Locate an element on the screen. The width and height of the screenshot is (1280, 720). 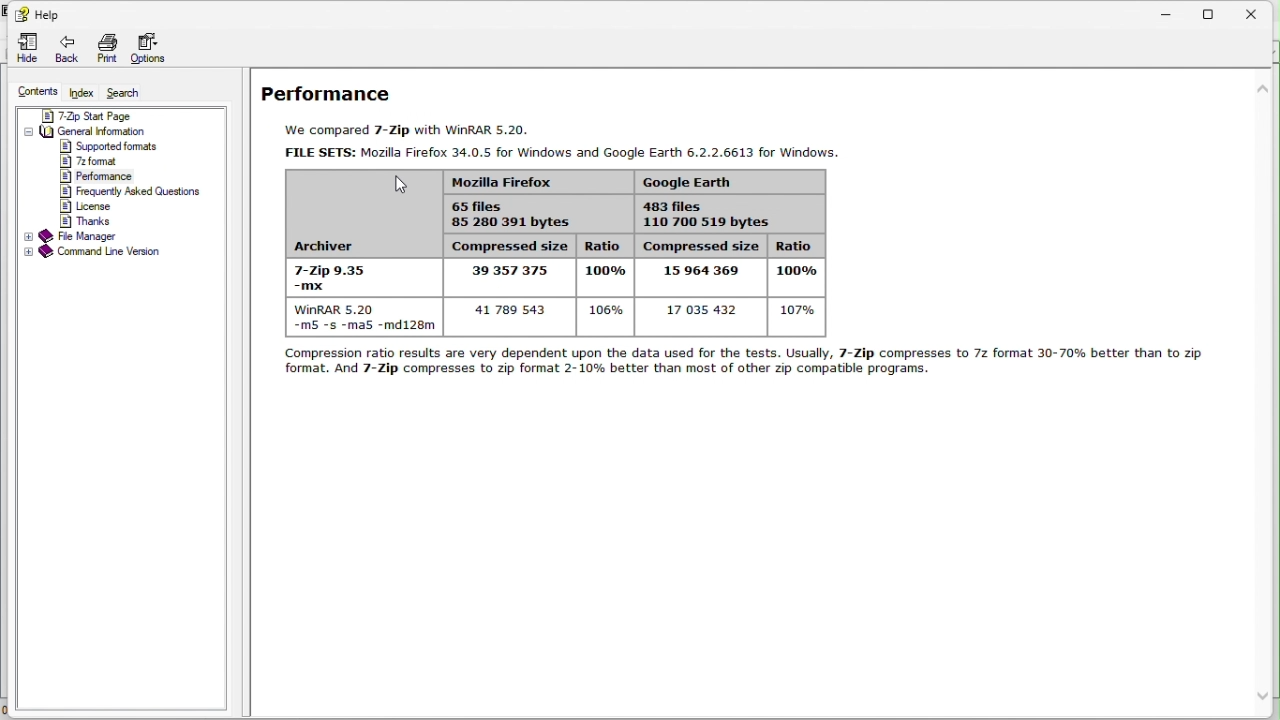
Content is located at coordinates (38, 89).